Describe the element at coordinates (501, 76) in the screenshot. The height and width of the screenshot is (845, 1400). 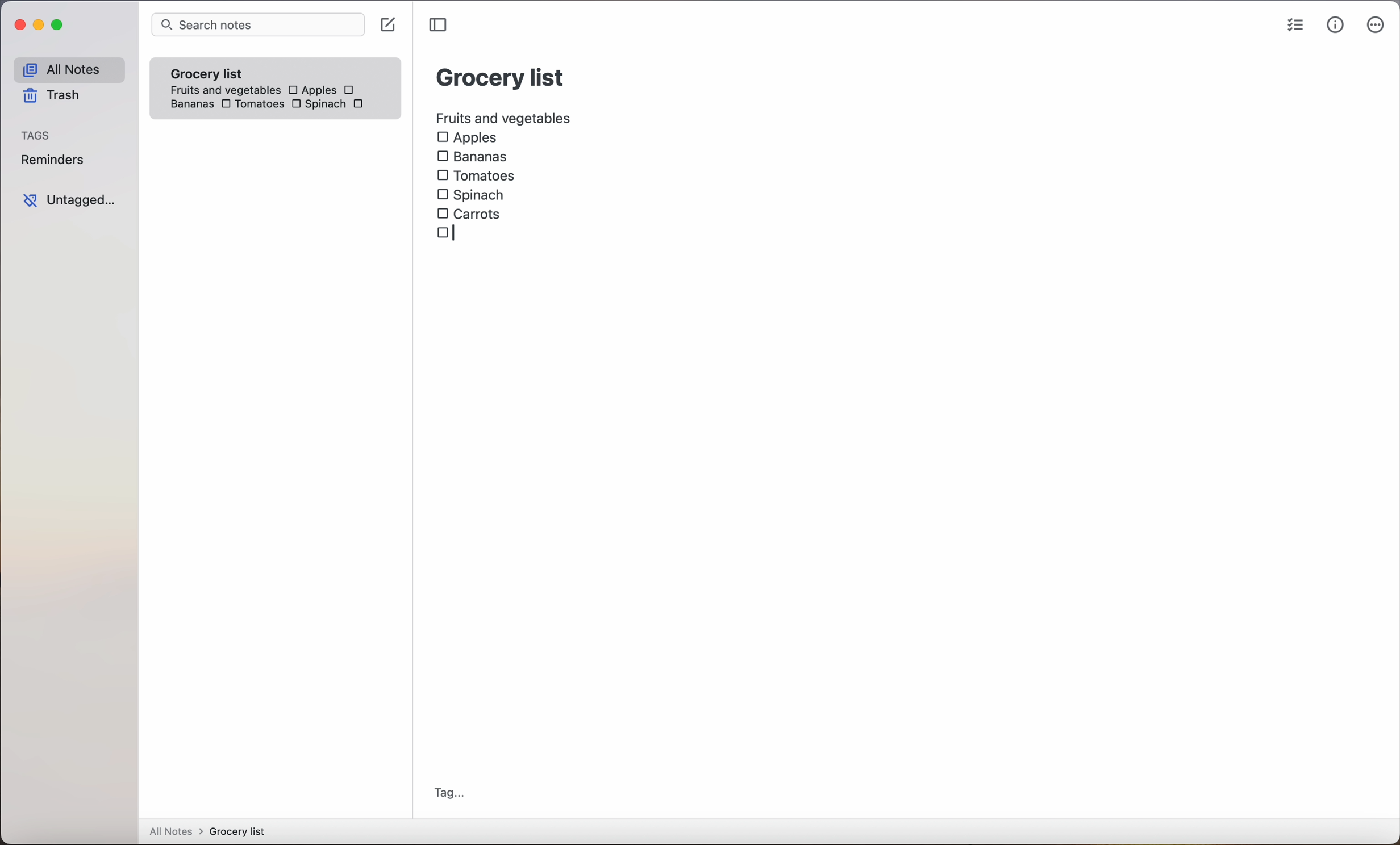
I see `grocery list` at that location.